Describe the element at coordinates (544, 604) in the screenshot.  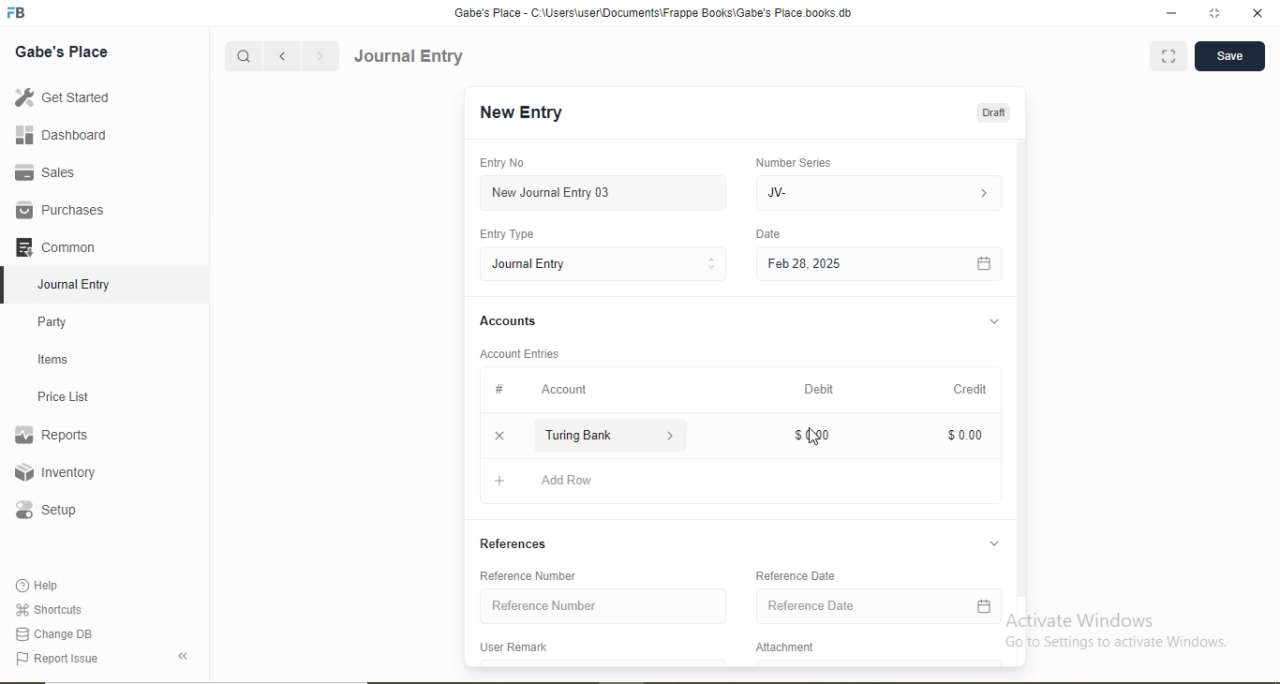
I see `Reference Number` at that location.